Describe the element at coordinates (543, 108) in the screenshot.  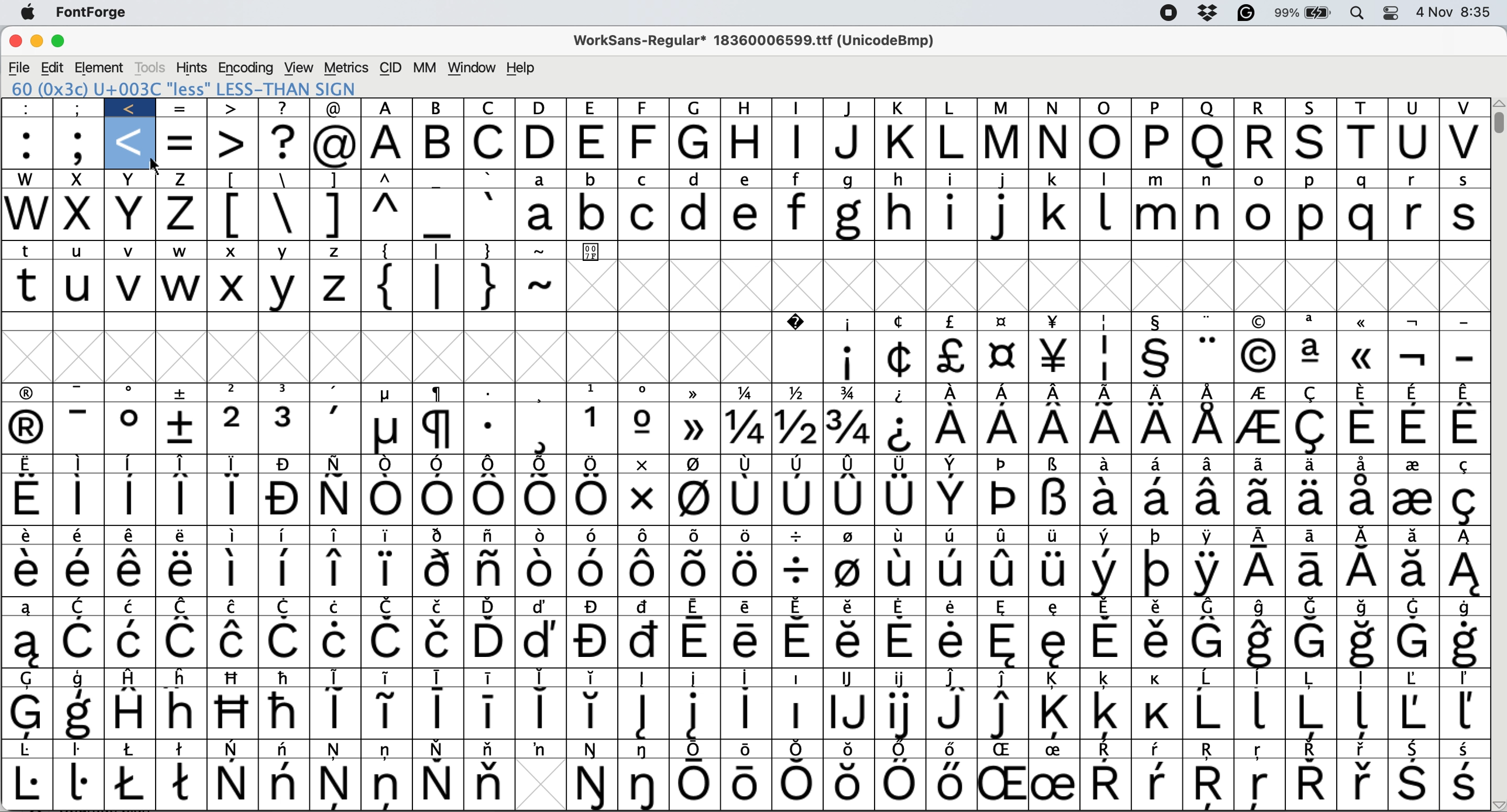
I see `d` at that location.